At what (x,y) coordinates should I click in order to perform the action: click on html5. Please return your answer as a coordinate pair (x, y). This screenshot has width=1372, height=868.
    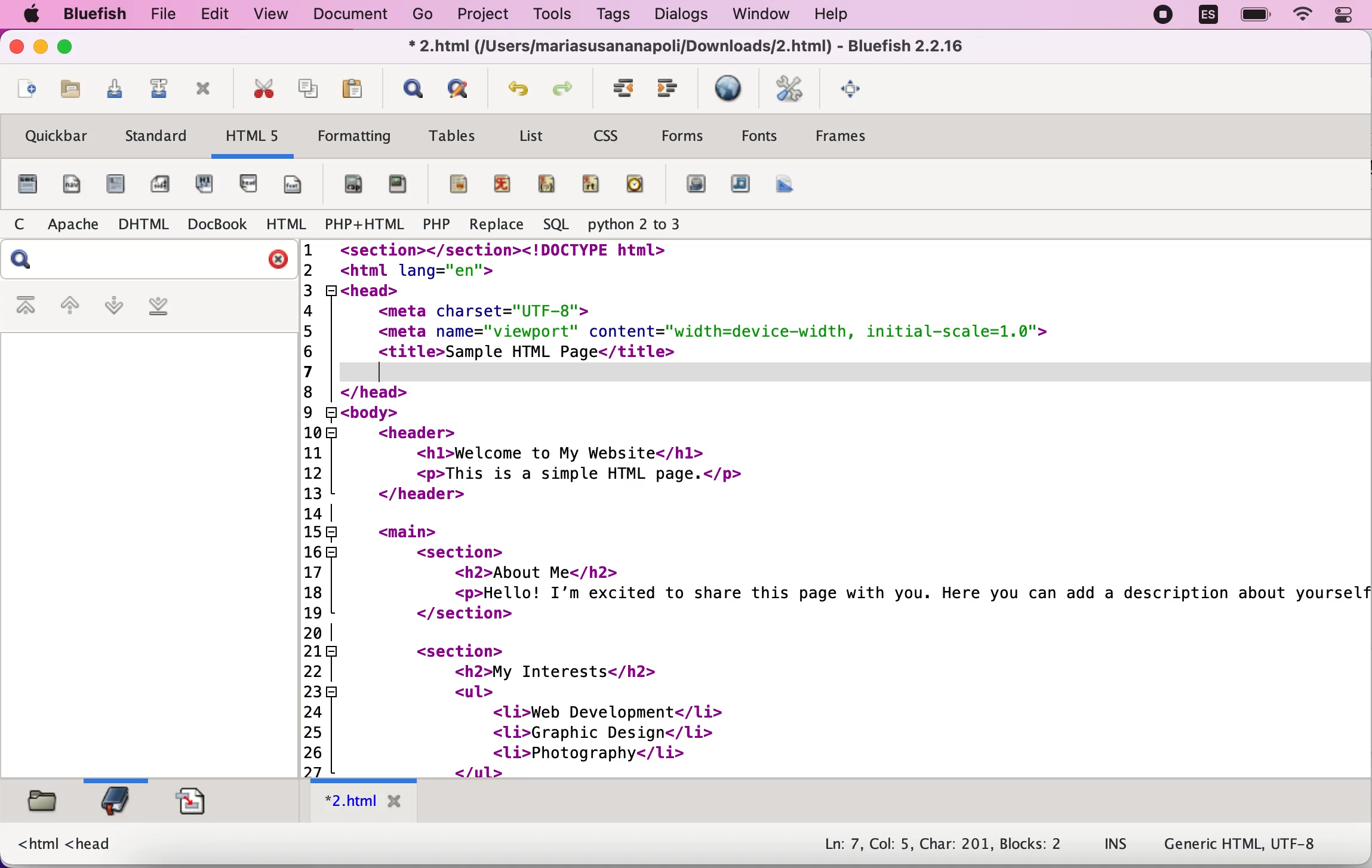
    Looking at the image, I should click on (255, 139).